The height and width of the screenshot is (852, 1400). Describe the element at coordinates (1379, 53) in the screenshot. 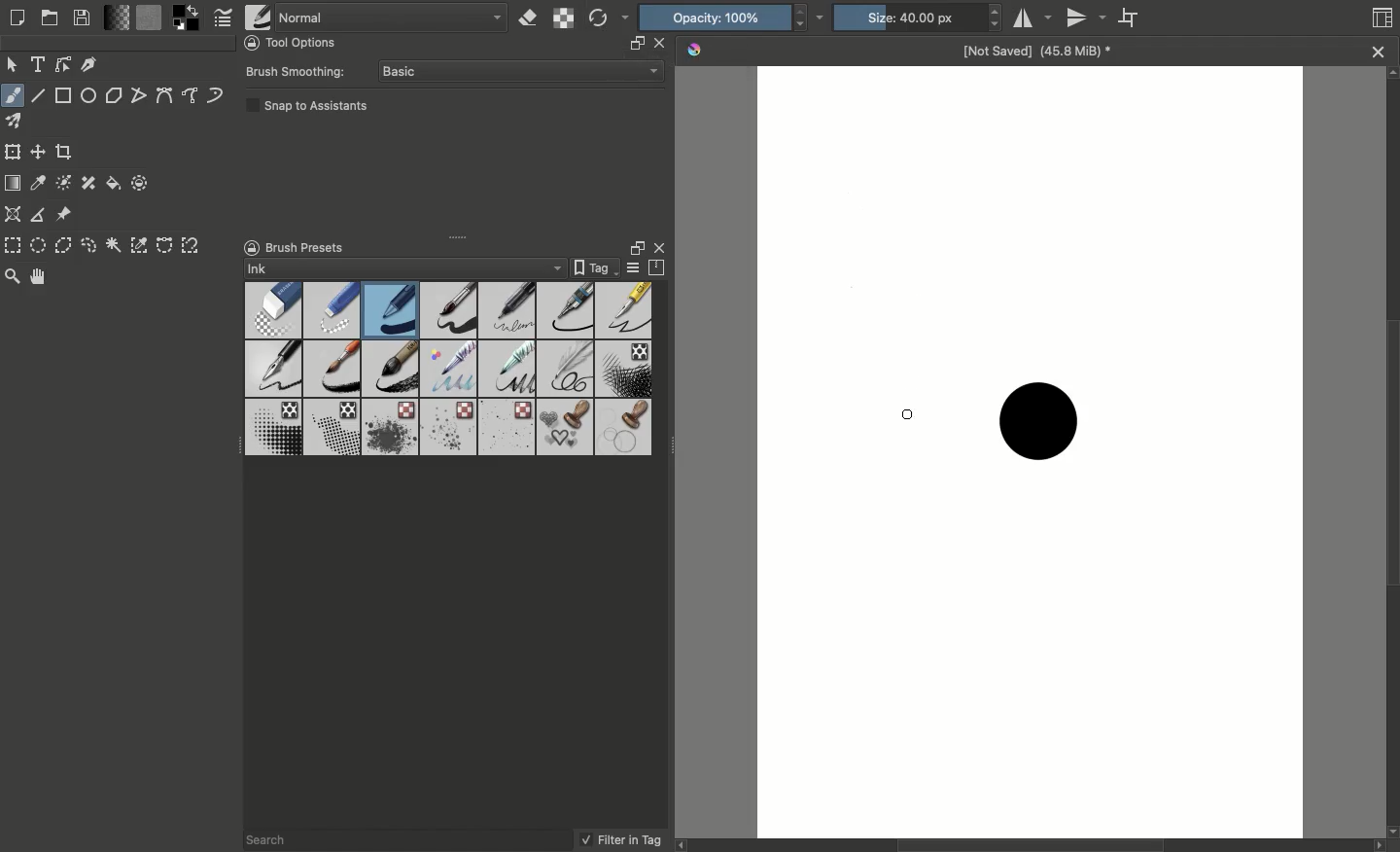

I see `close` at that location.